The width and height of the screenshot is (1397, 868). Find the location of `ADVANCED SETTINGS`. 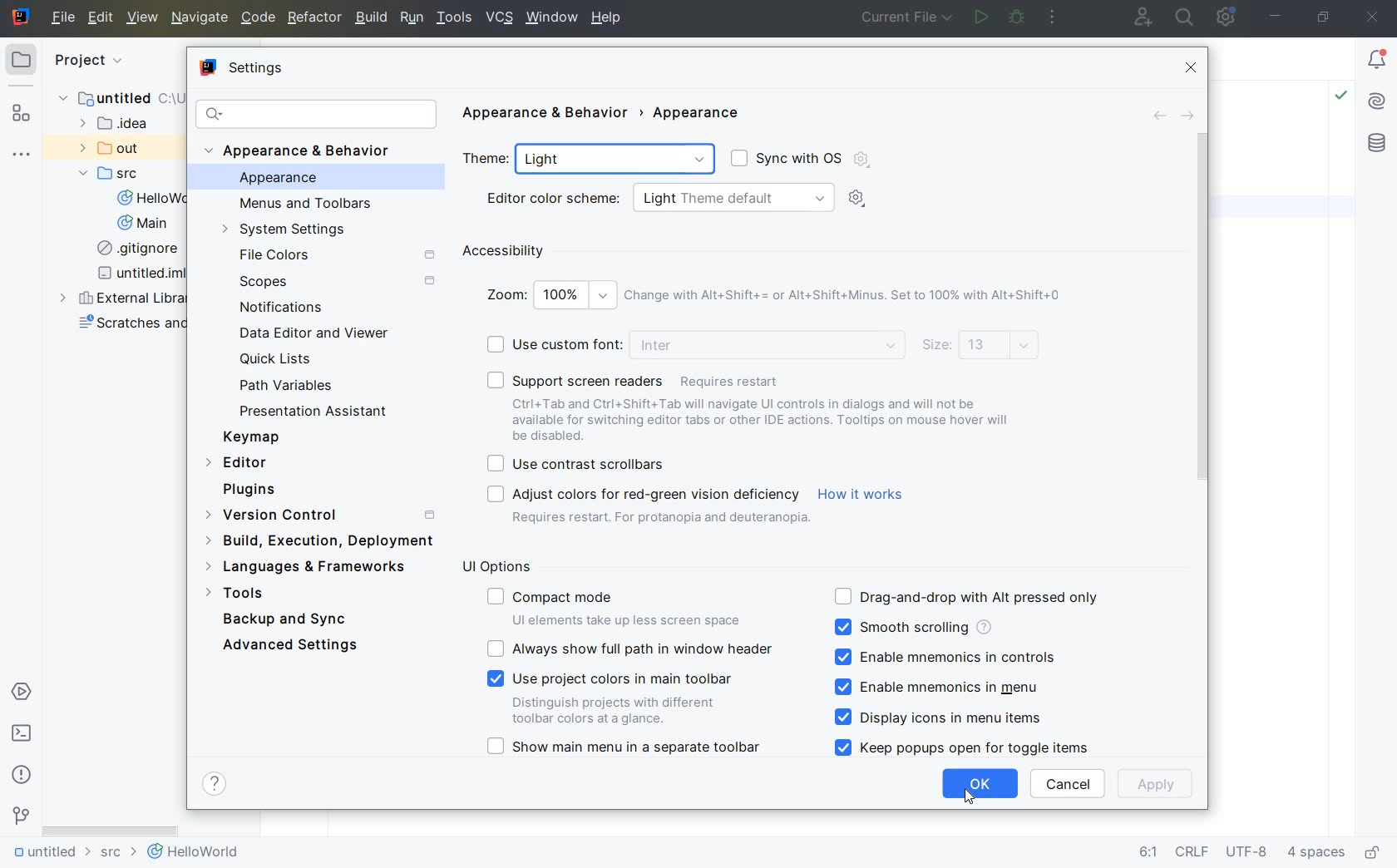

ADVANCED SETTINGS is located at coordinates (289, 649).